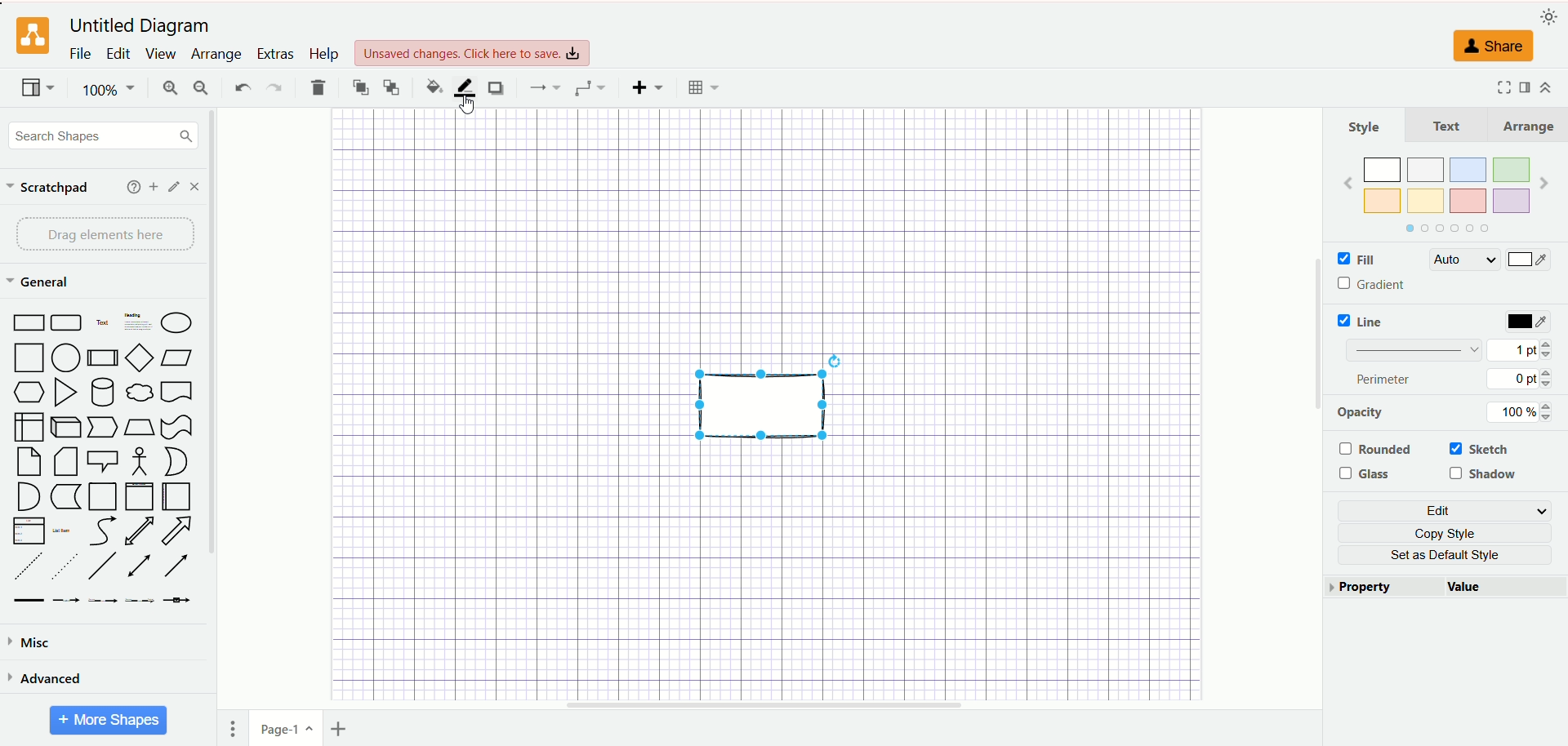  What do you see at coordinates (169, 88) in the screenshot?
I see `zoom in` at bounding box center [169, 88].